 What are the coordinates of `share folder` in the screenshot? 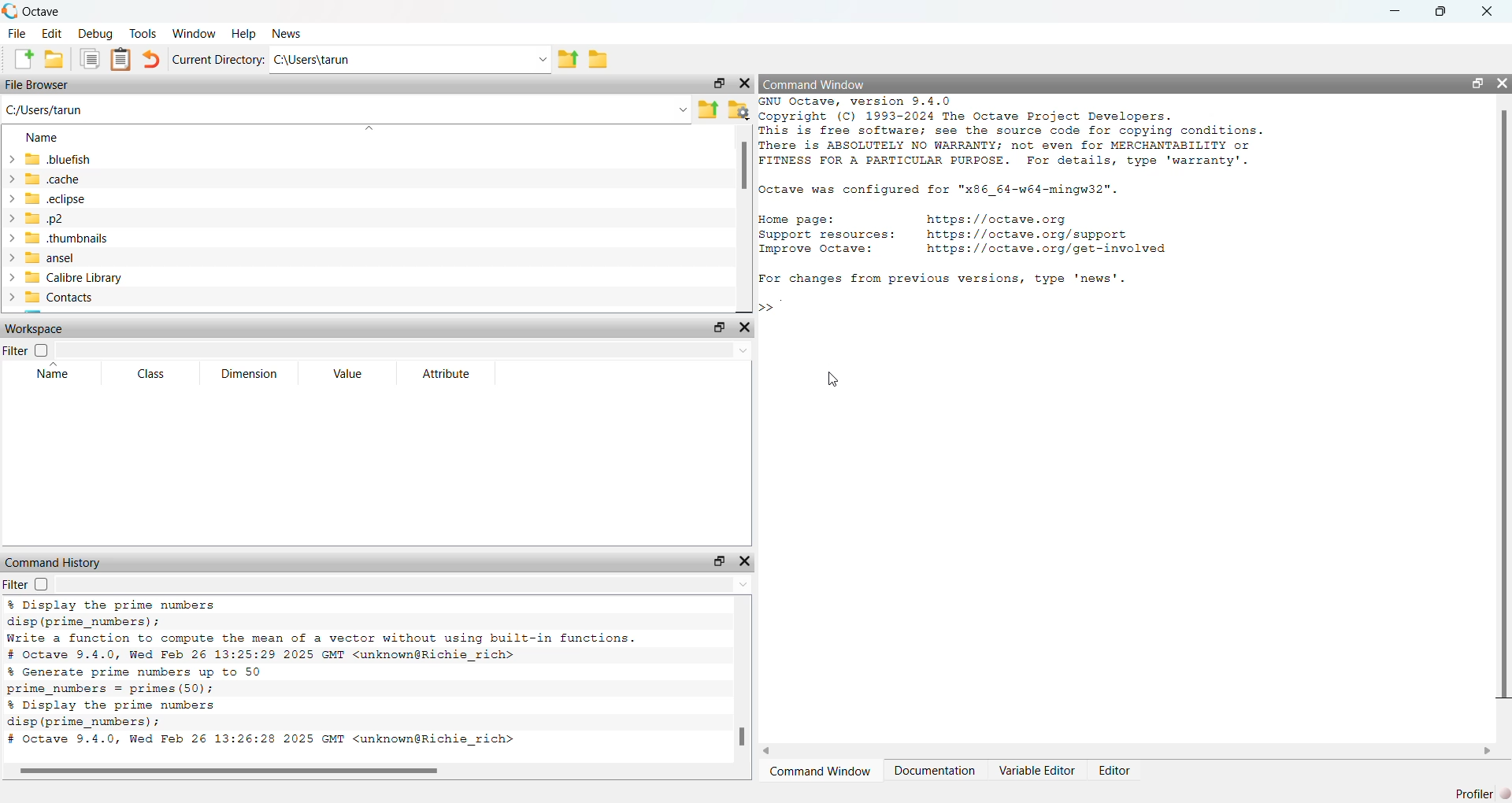 It's located at (708, 110).